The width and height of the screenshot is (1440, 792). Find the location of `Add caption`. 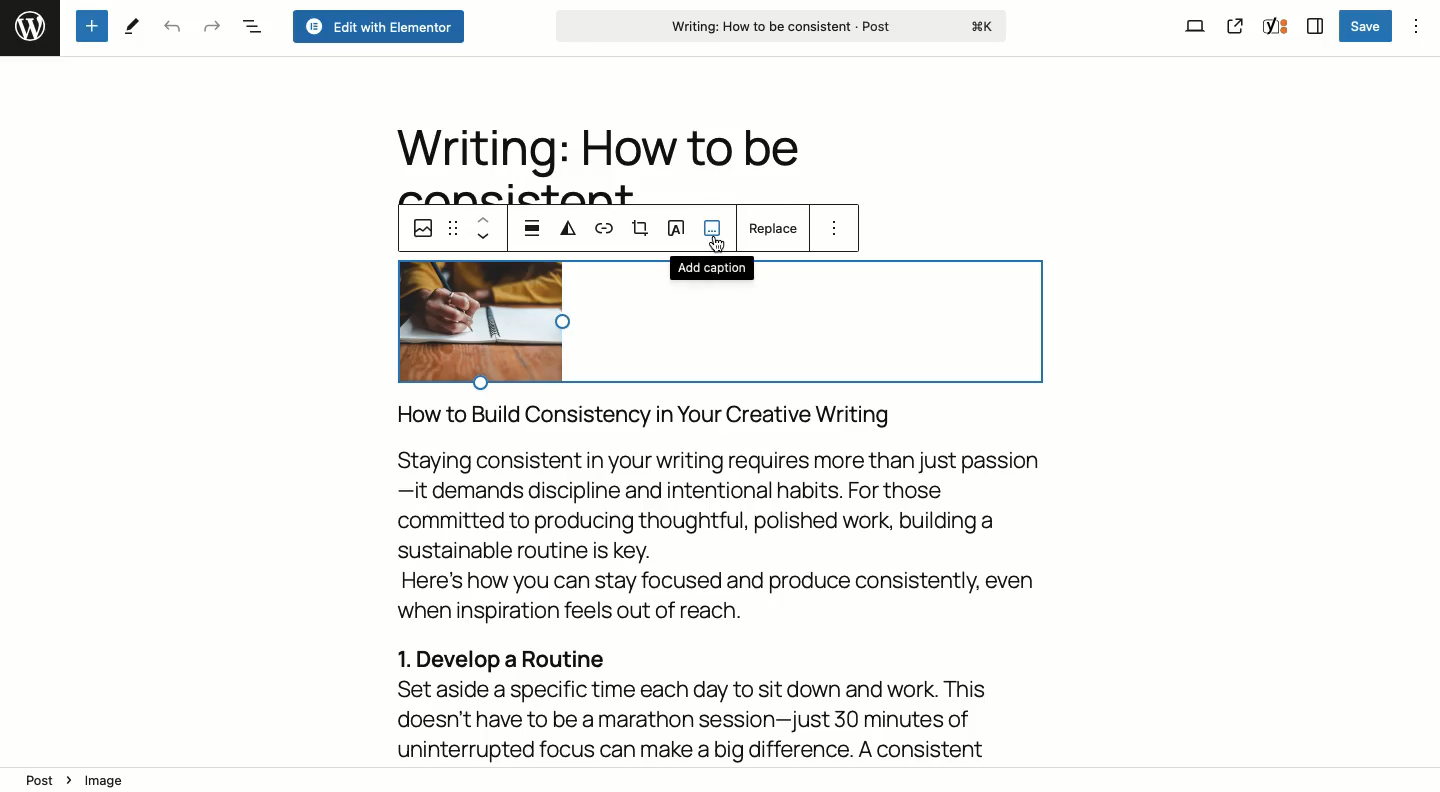

Add caption is located at coordinates (713, 233).